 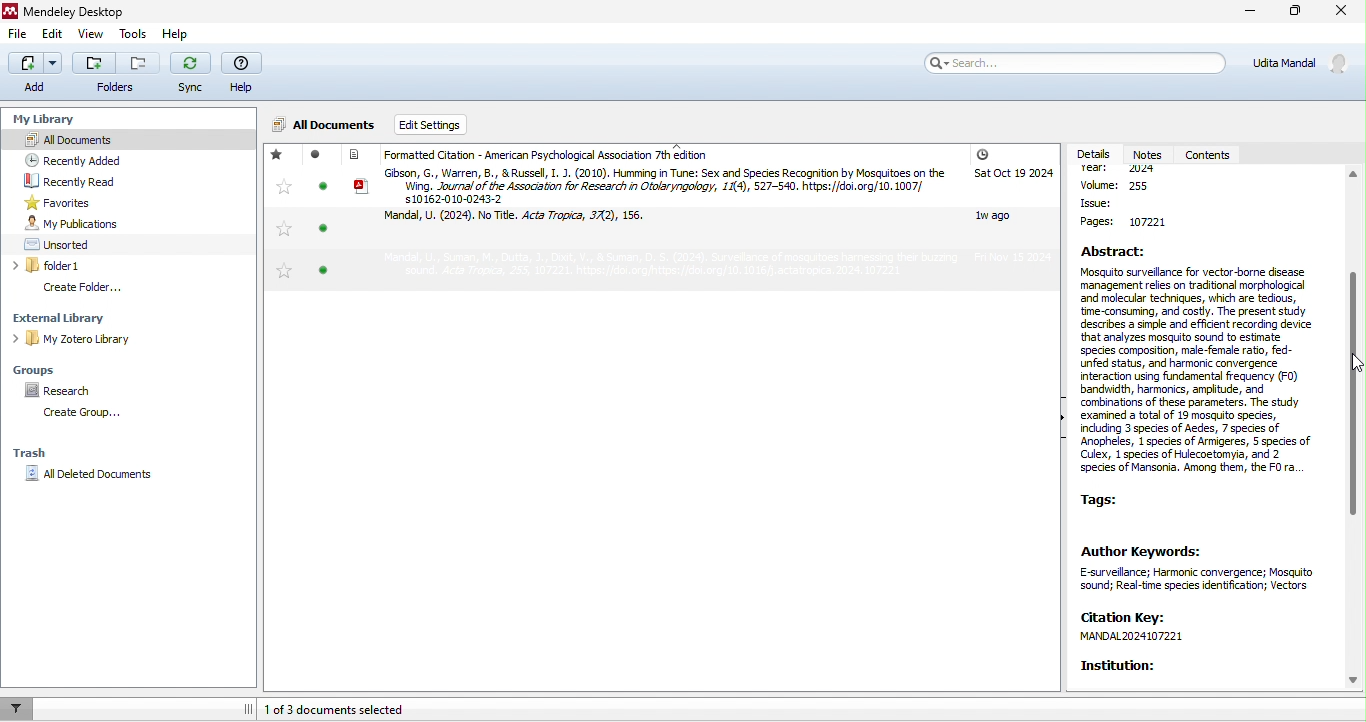 I want to click on research, so click(x=61, y=389).